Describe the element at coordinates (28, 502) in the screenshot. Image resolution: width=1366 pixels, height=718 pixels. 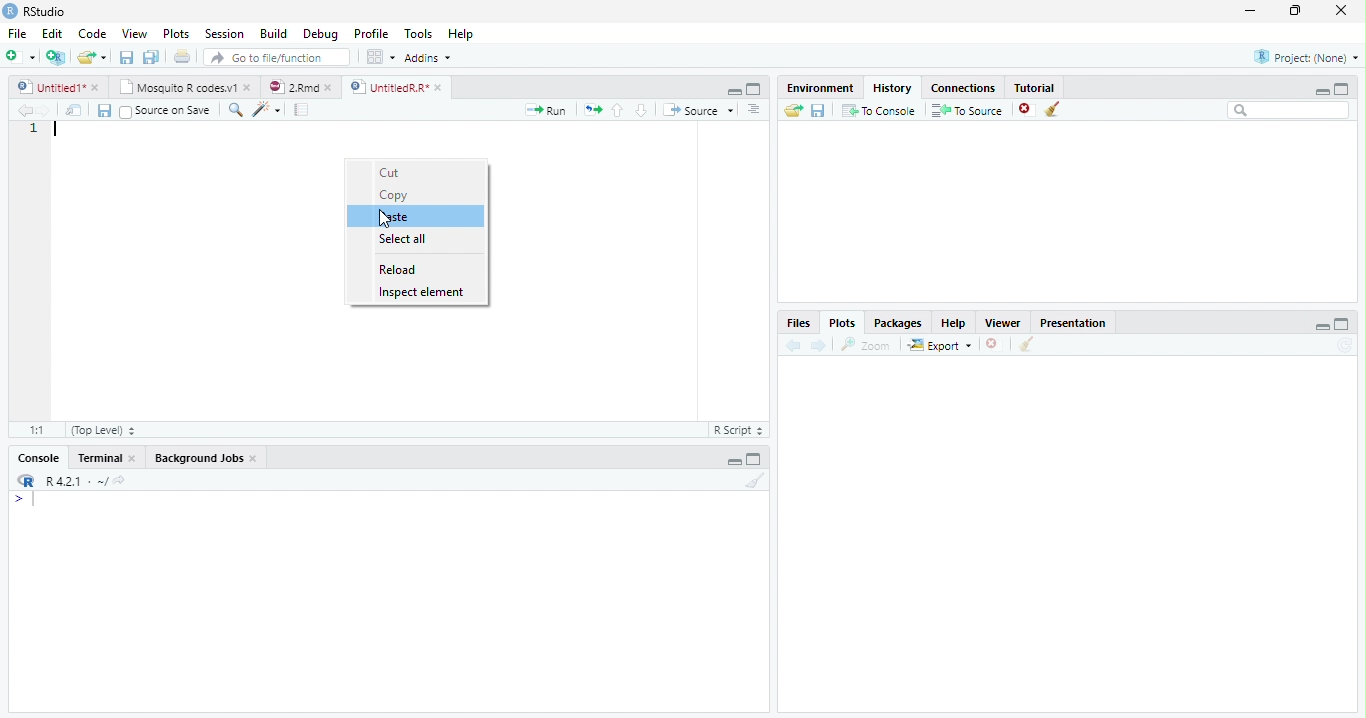
I see `Typing indicator` at that location.